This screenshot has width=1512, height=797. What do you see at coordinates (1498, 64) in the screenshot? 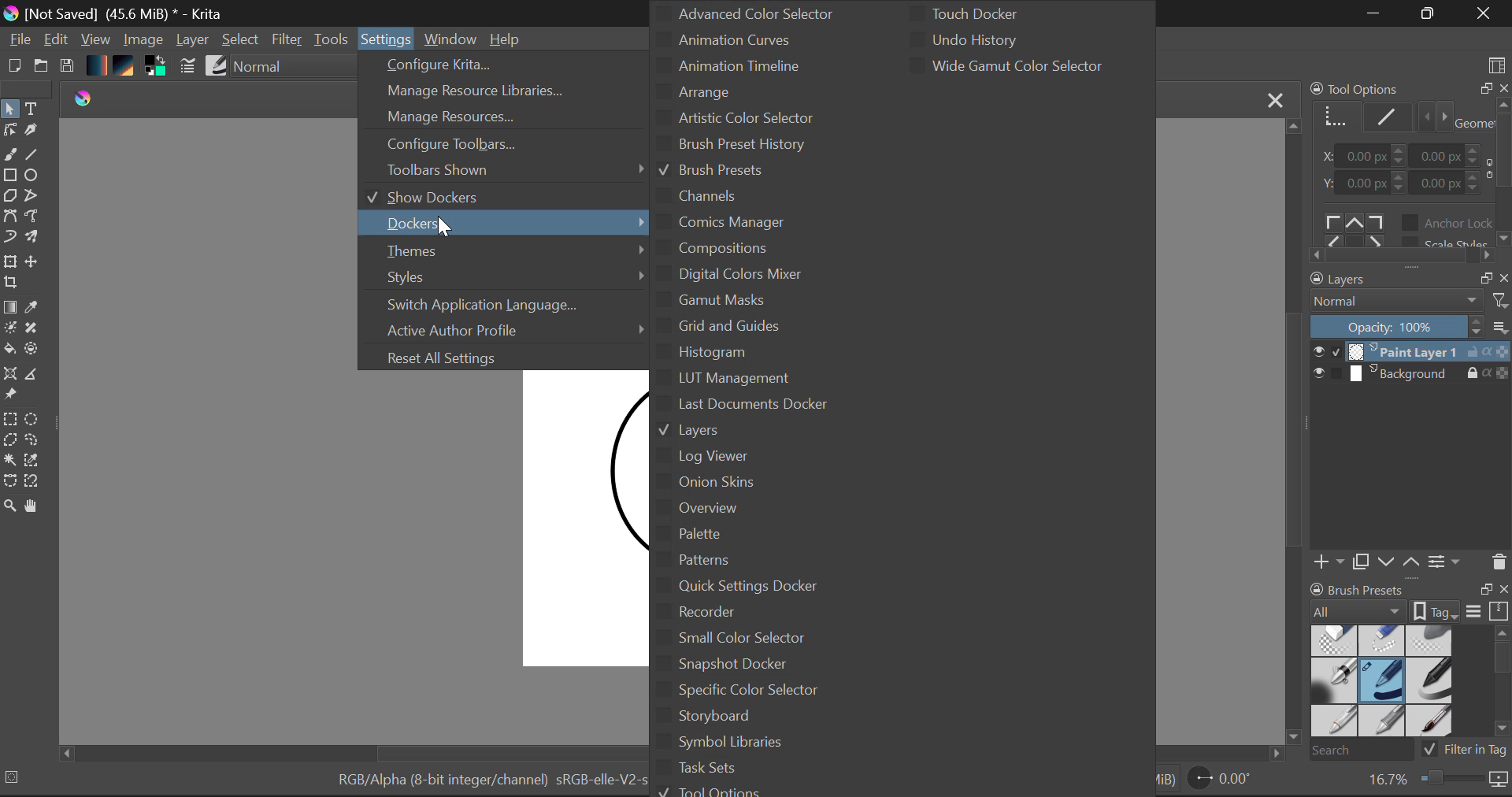
I see `Choose Workspace` at bounding box center [1498, 64].